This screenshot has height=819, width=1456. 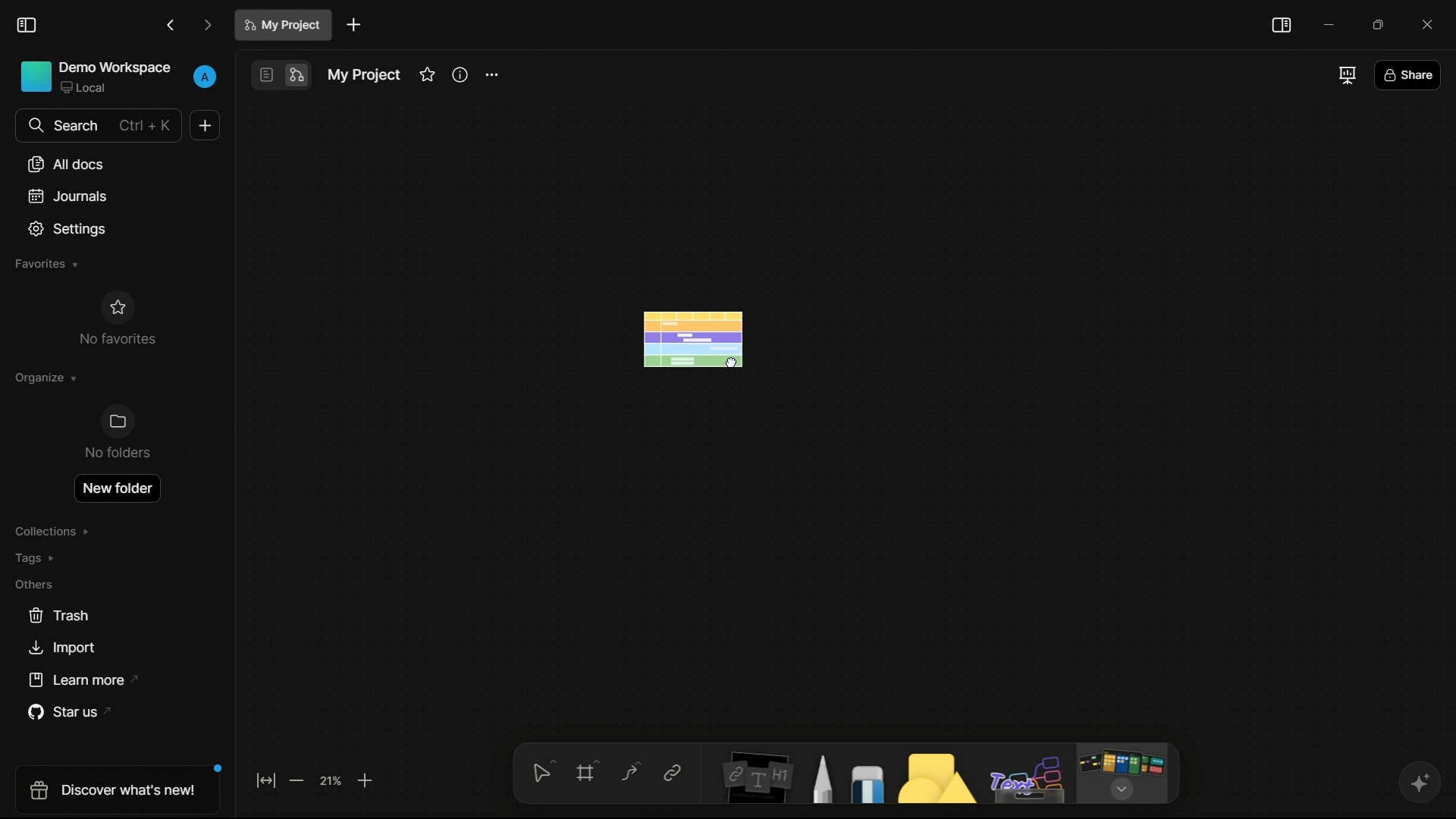 I want to click on shapes, so click(x=939, y=780).